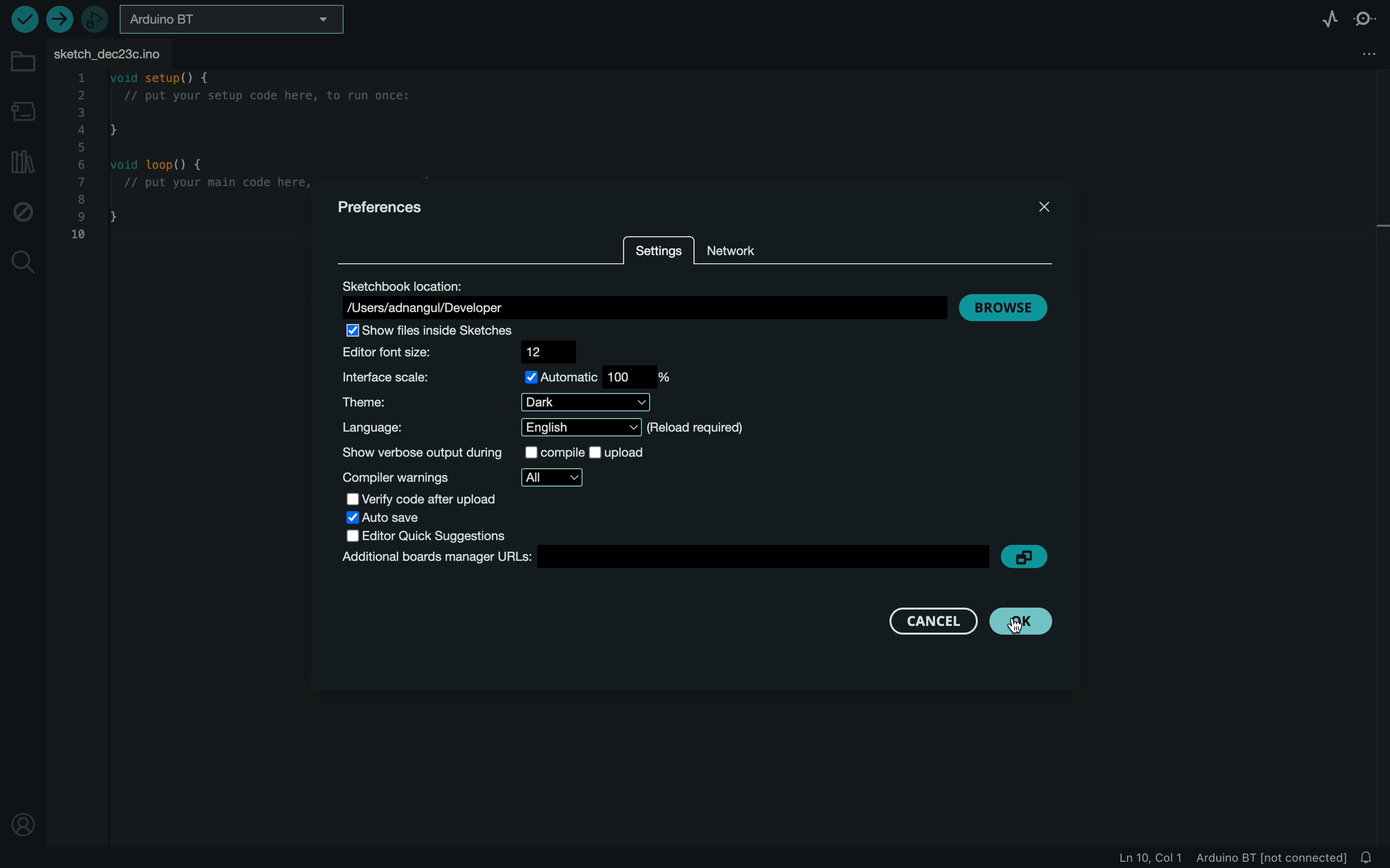  What do you see at coordinates (176, 162) in the screenshot?
I see `code` at bounding box center [176, 162].